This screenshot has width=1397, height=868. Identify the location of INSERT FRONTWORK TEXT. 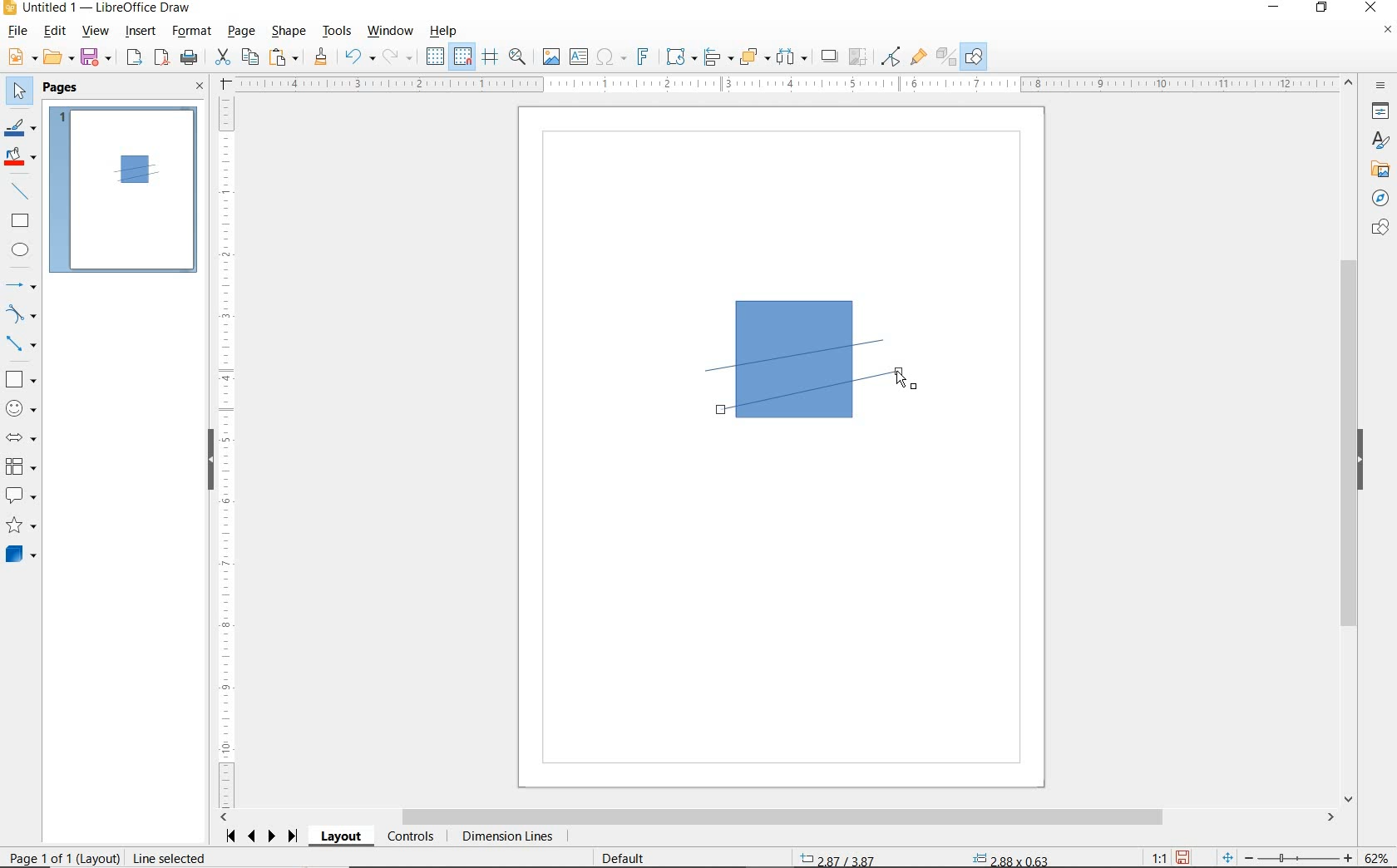
(642, 57).